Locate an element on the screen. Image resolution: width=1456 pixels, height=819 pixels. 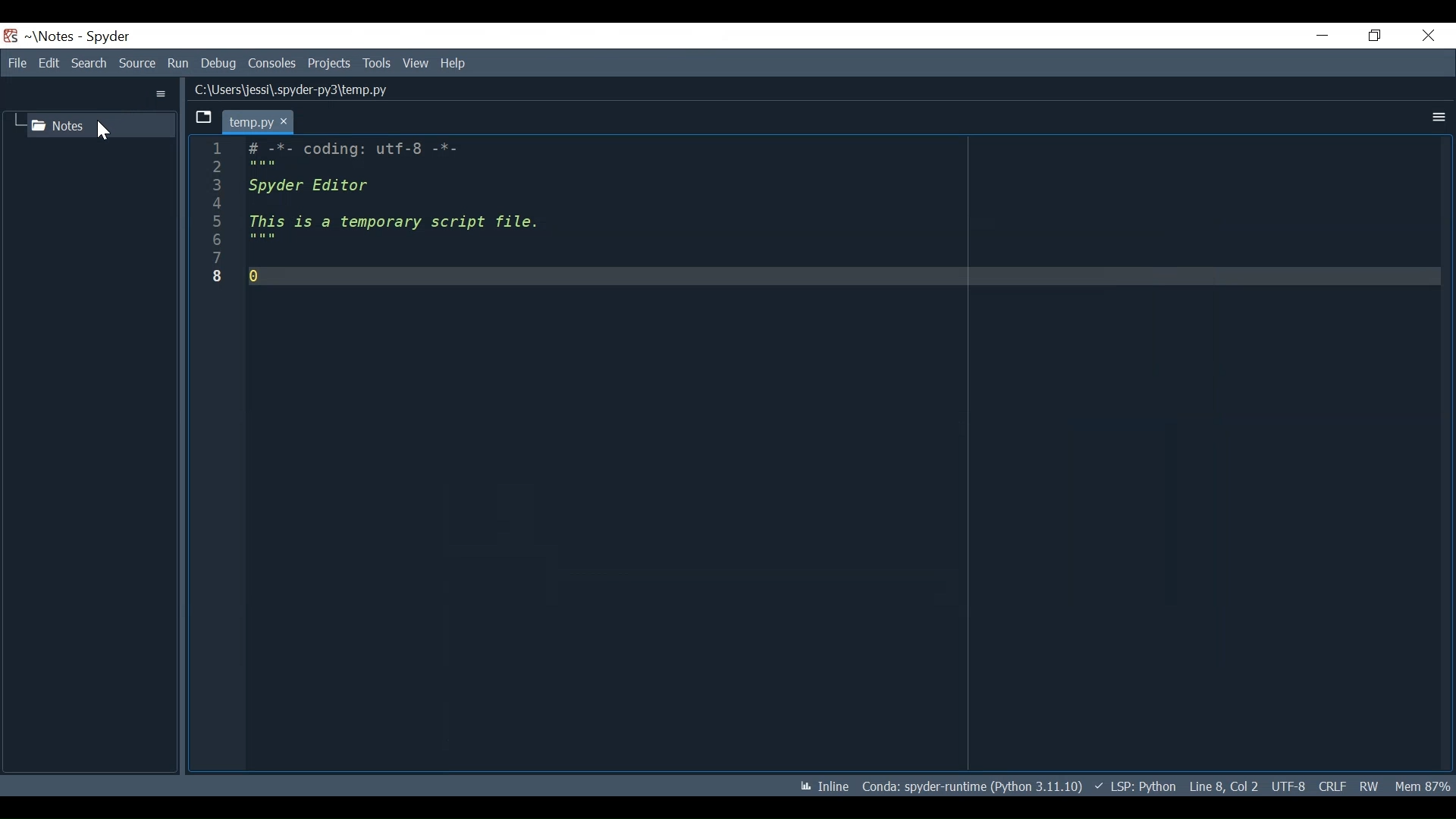
Tools is located at coordinates (376, 64).